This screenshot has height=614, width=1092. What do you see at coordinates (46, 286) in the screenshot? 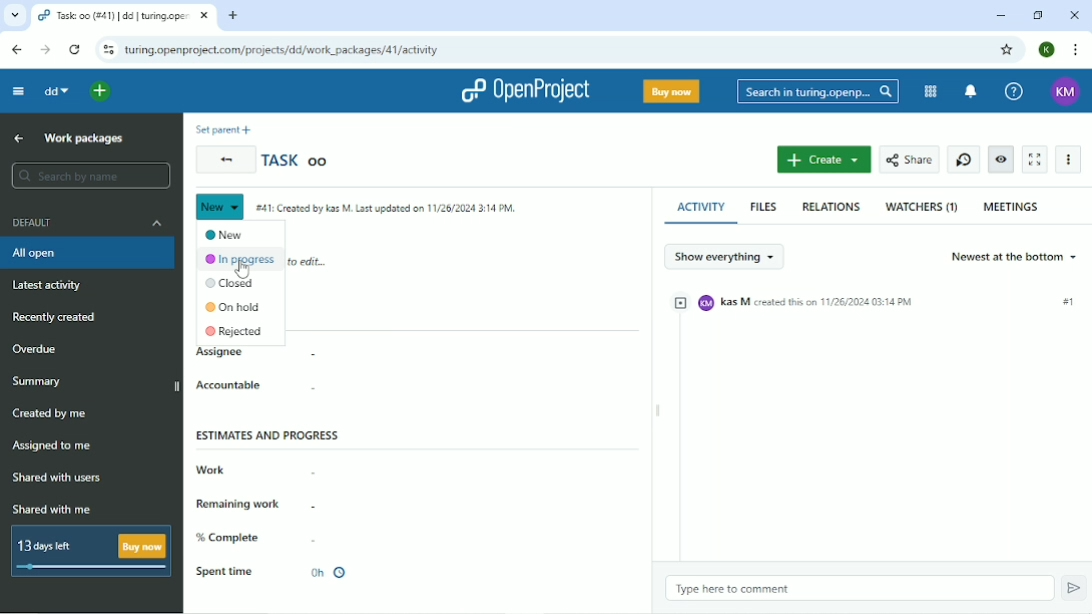
I see `Latest activity` at bounding box center [46, 286].